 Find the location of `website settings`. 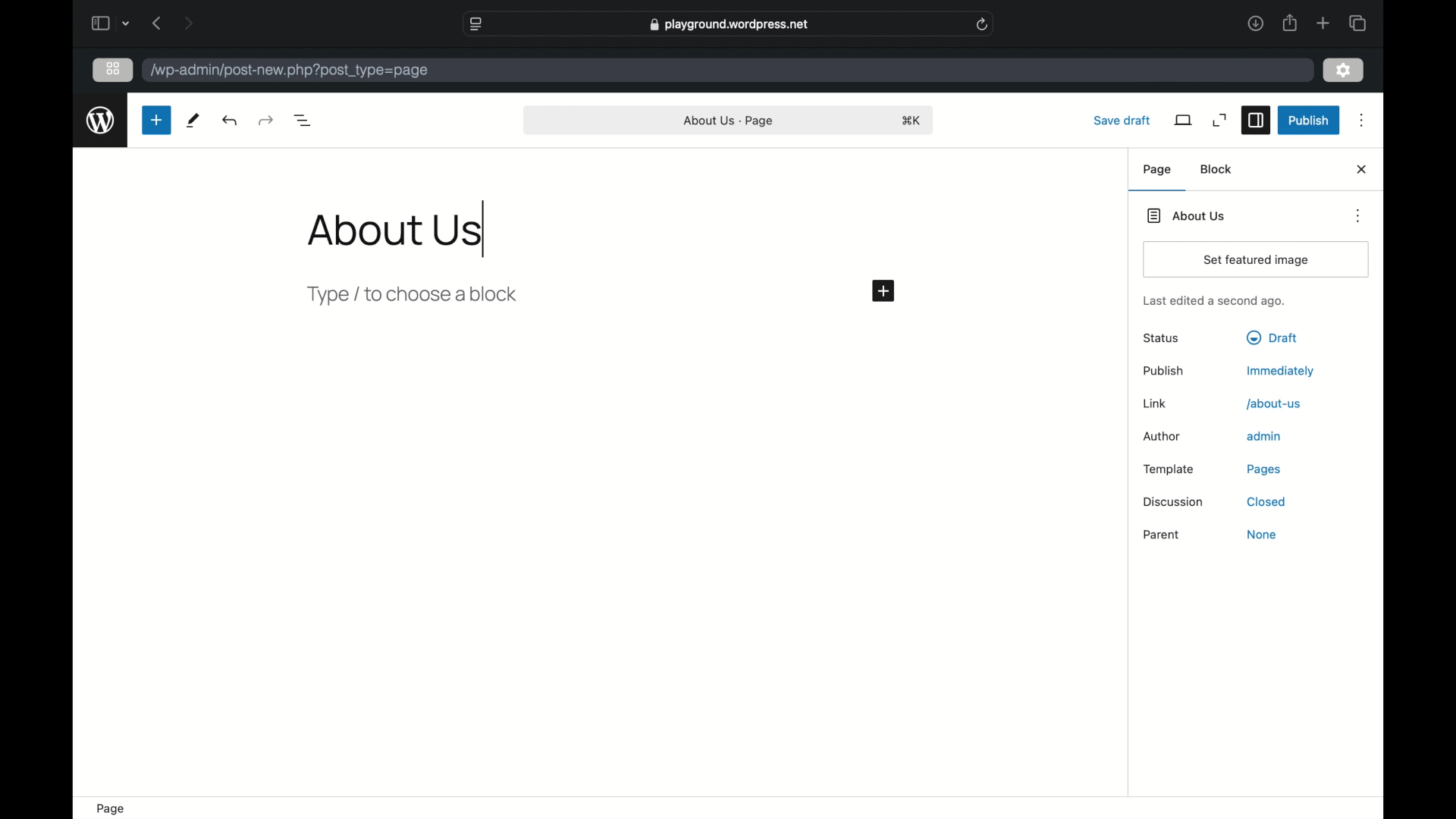

website settings is located at coordinates (476, 24).